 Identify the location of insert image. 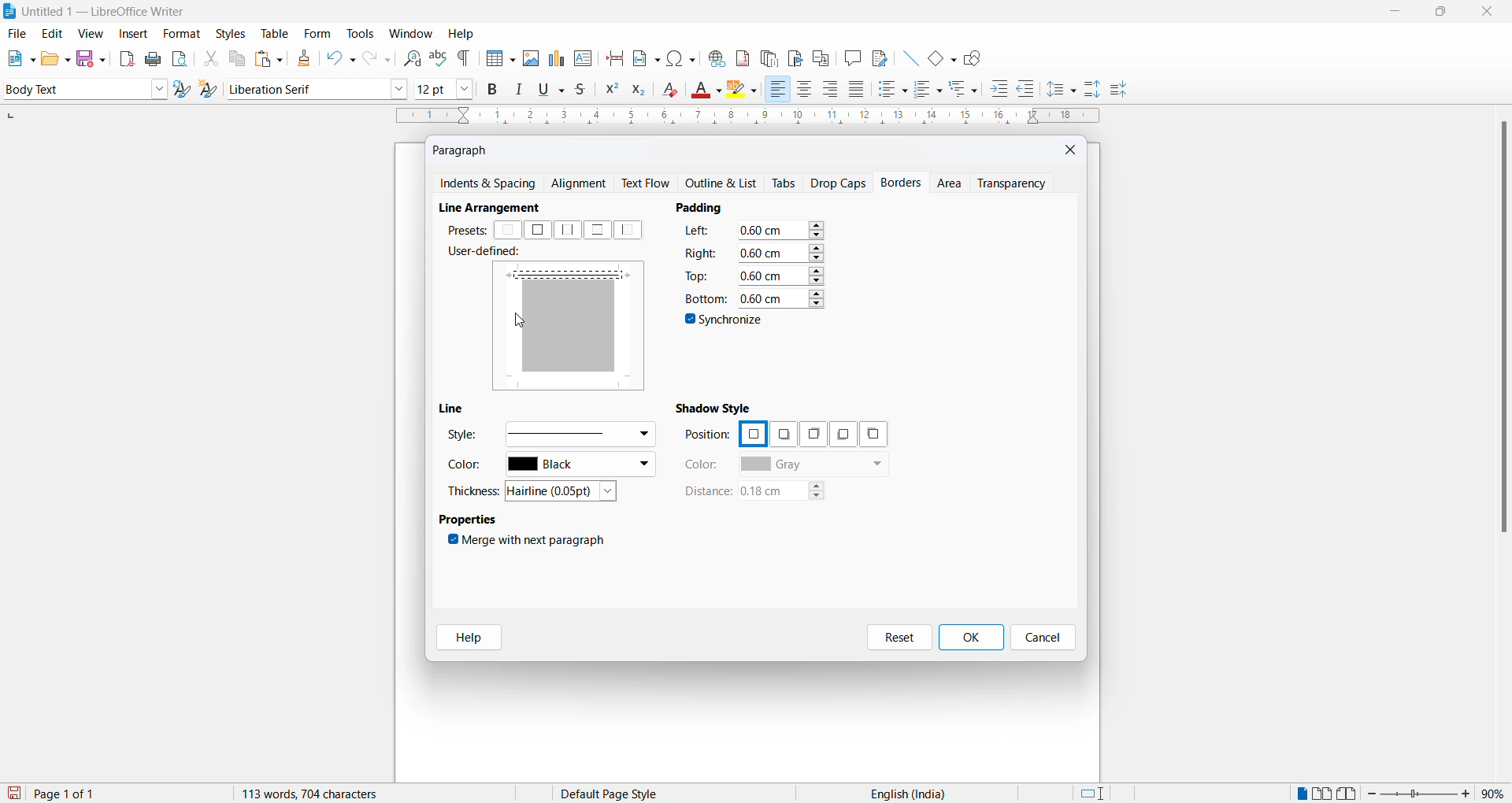
(497, 60).